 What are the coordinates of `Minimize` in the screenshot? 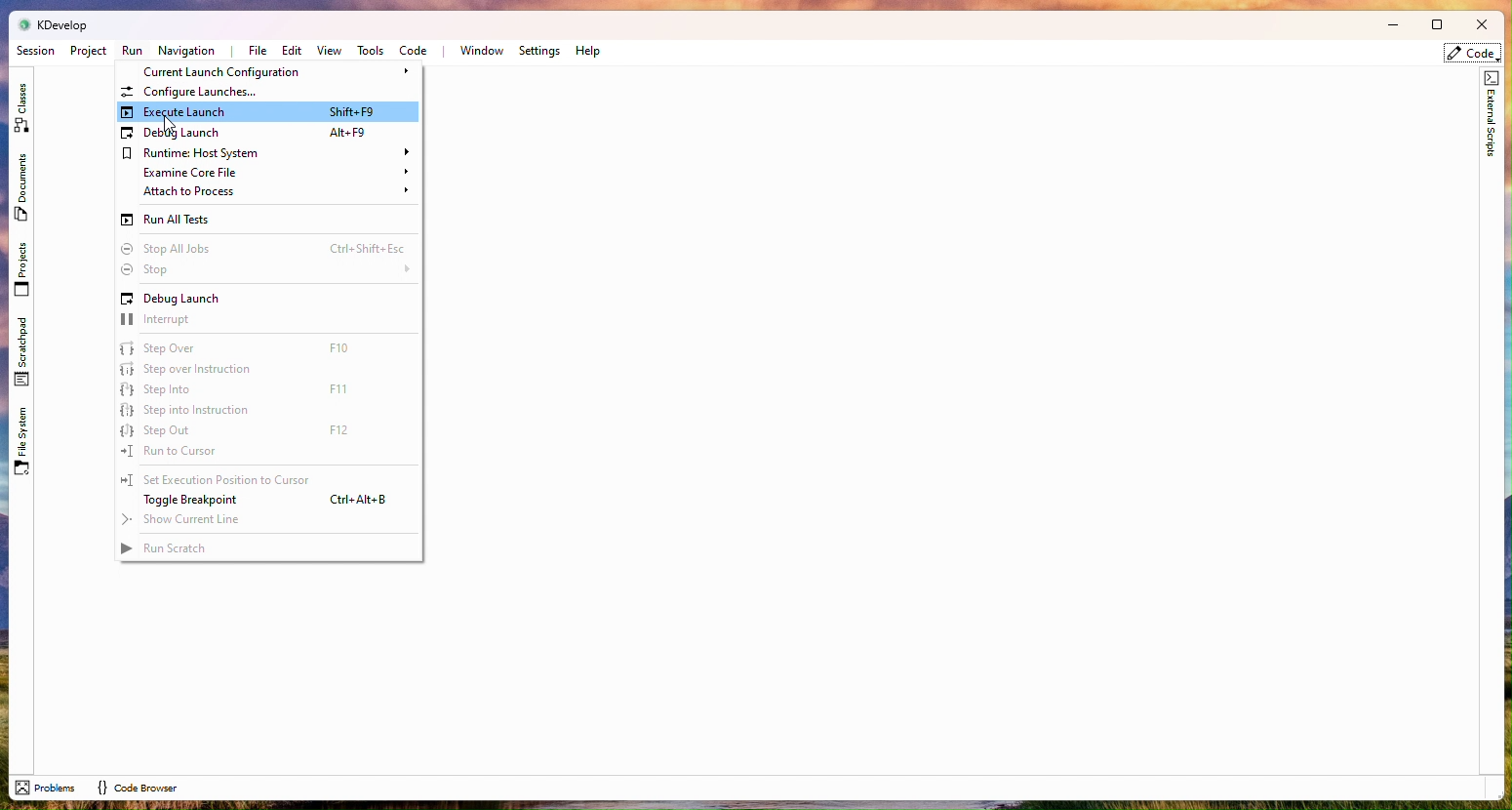 It's located at (1386, 26).